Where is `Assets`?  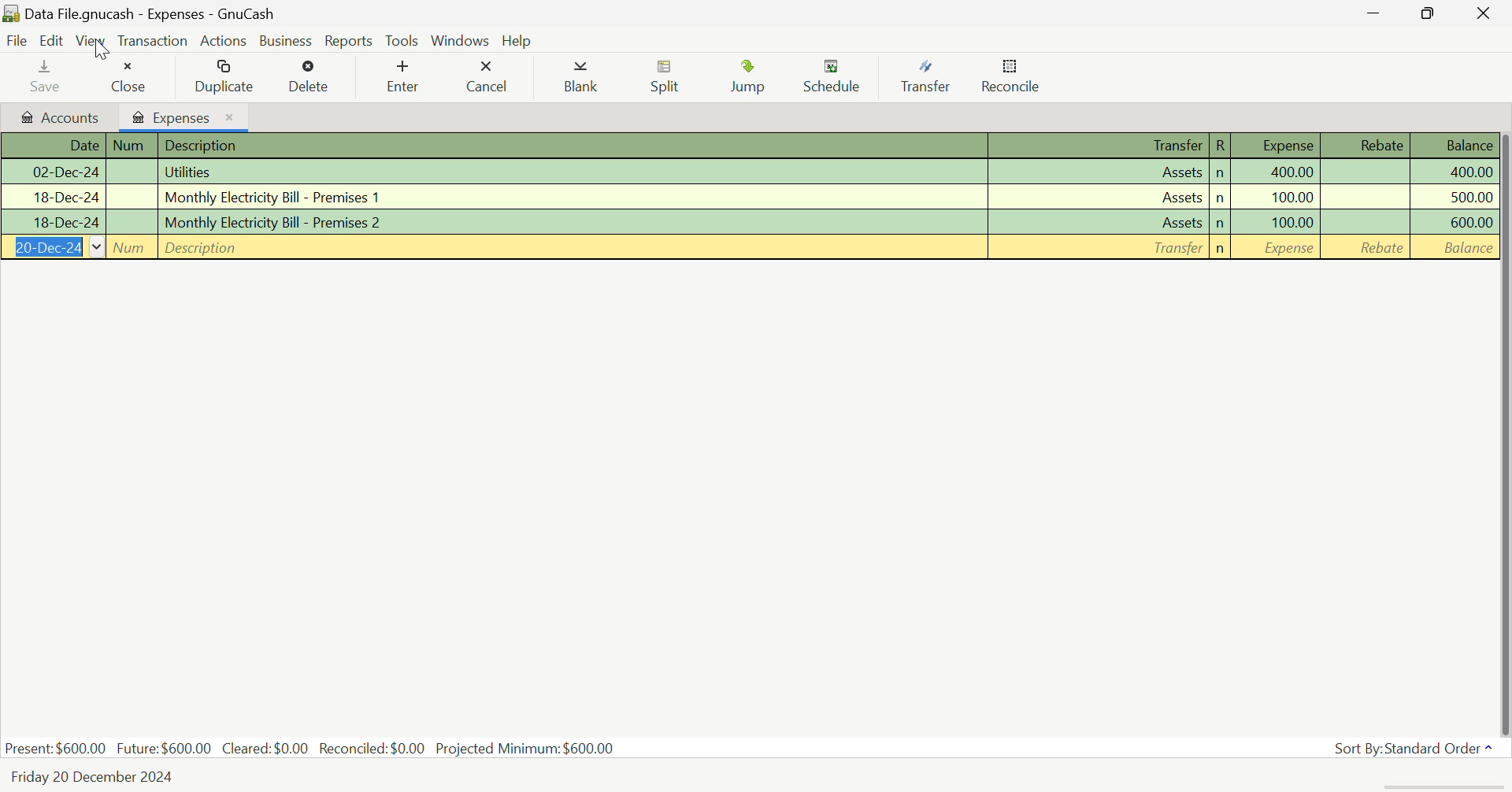
Assets is located at coordinates (1098, 171).